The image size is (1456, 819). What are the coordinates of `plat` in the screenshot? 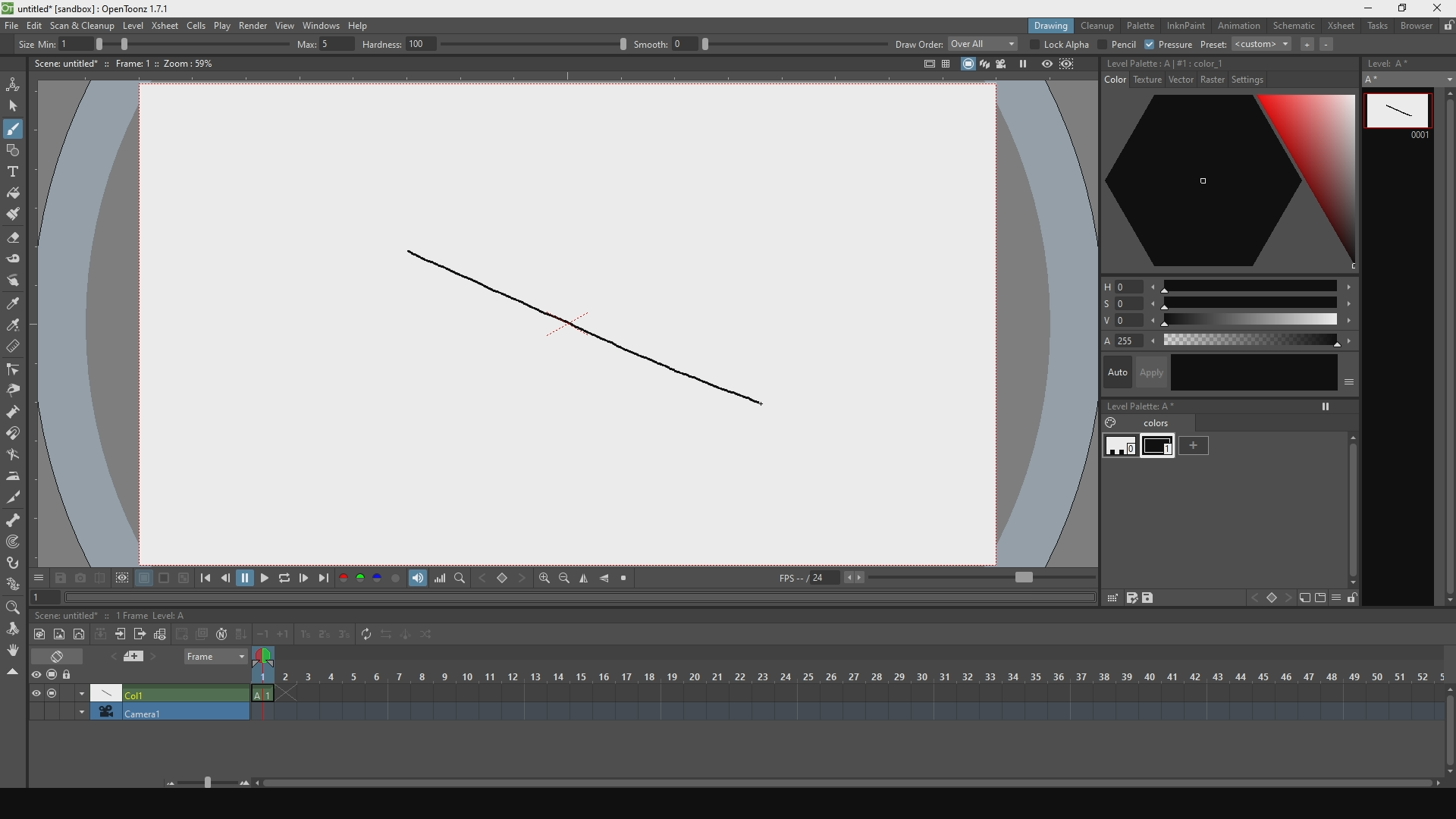 It's located at (221, 25).